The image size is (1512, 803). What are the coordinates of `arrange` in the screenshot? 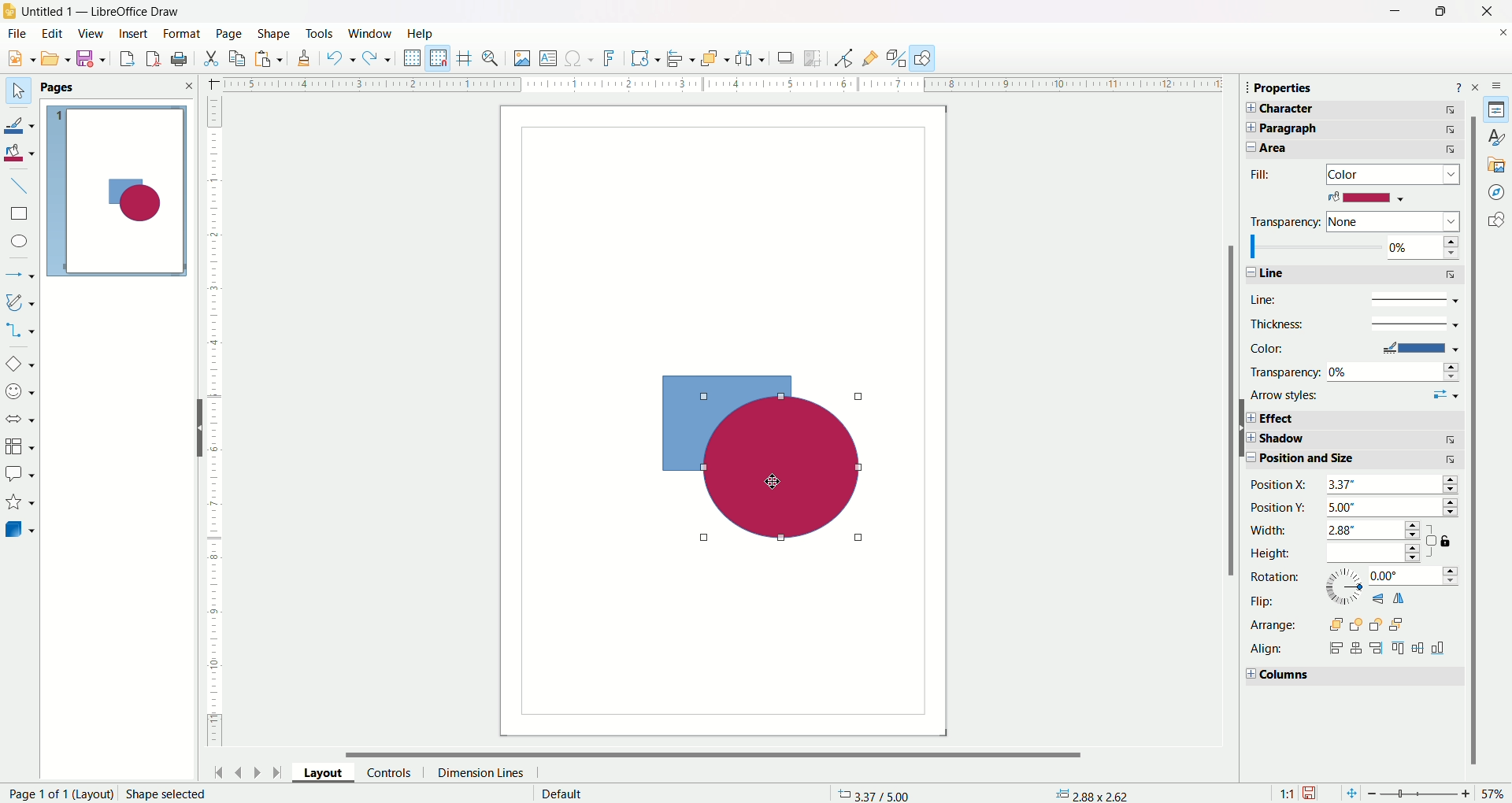 It's located at (713, 58).